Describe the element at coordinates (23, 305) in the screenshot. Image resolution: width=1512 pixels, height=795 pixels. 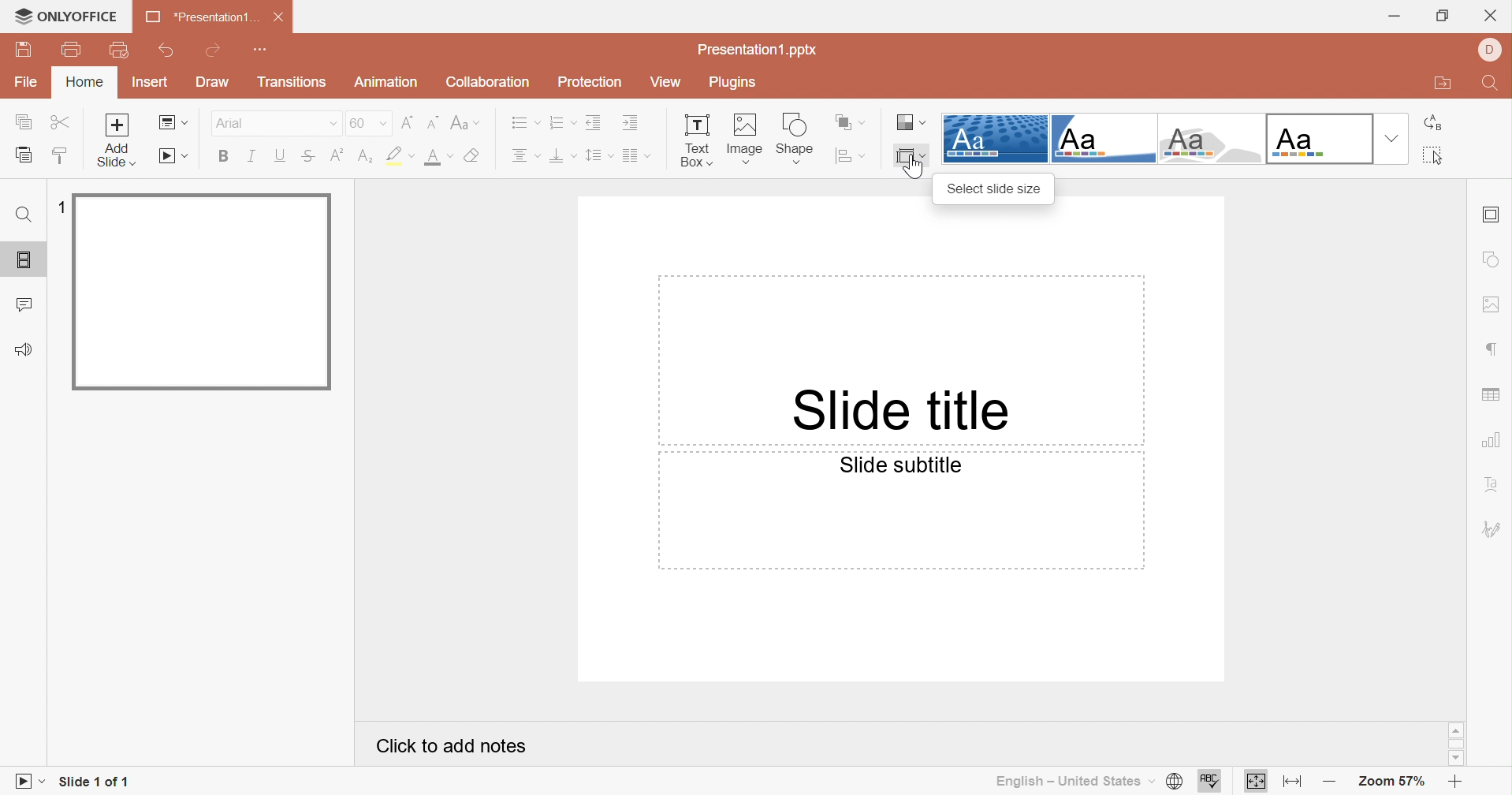
I see `Comments` at that location.